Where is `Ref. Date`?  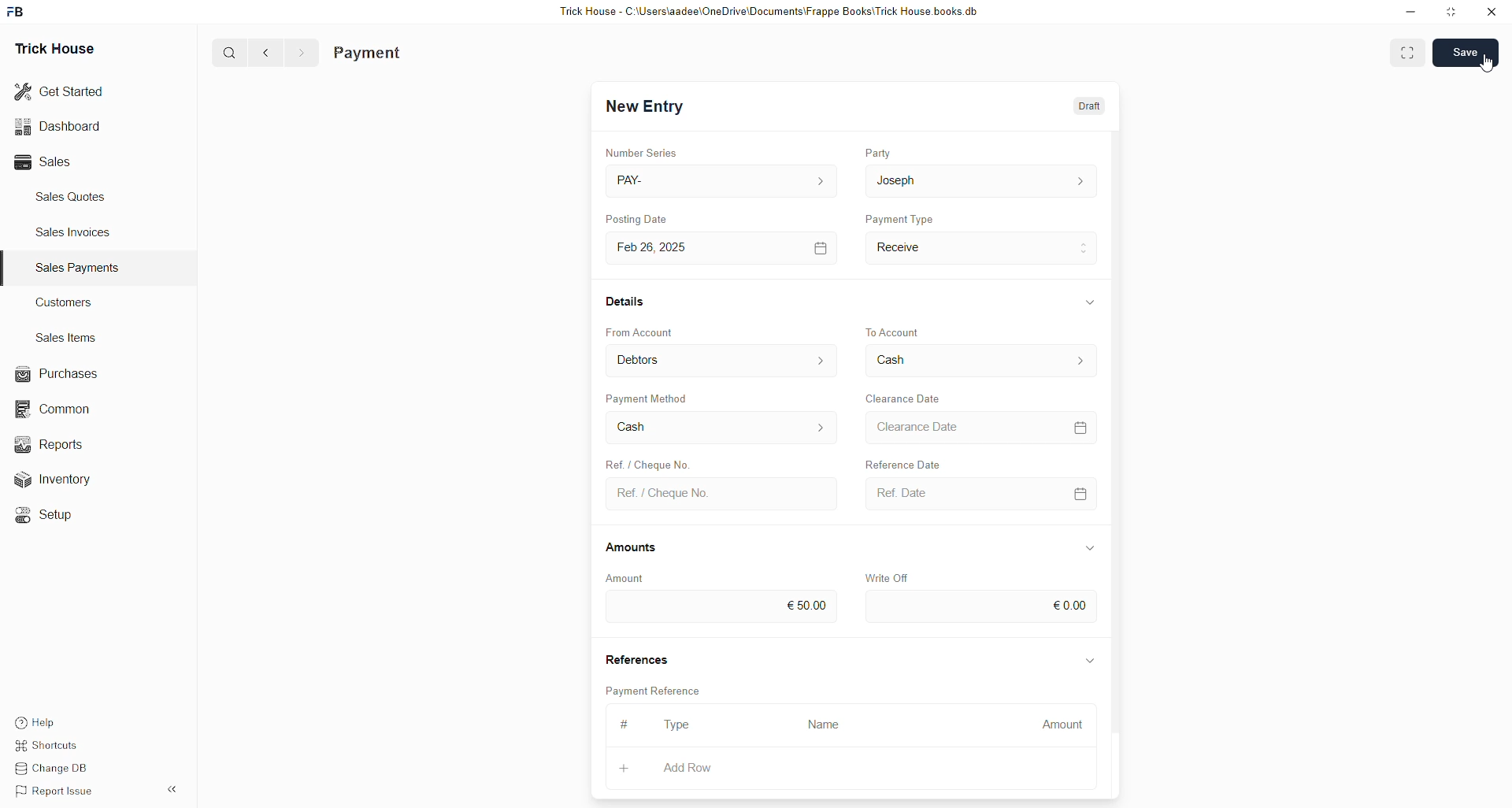 Ref. Date is located at coordinates (983, 494).